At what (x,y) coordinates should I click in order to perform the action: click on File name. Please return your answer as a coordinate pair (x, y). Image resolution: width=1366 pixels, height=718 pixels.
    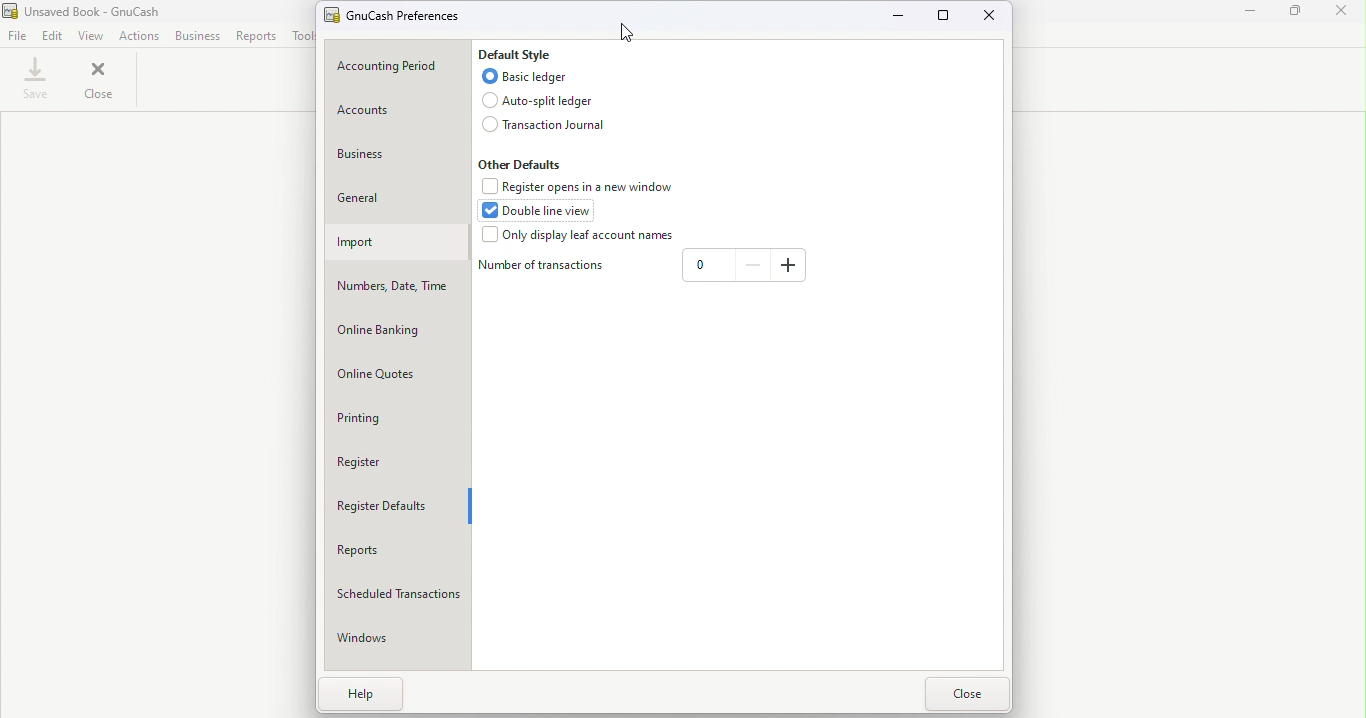
    Looking at the image, I should click on (392, 15).